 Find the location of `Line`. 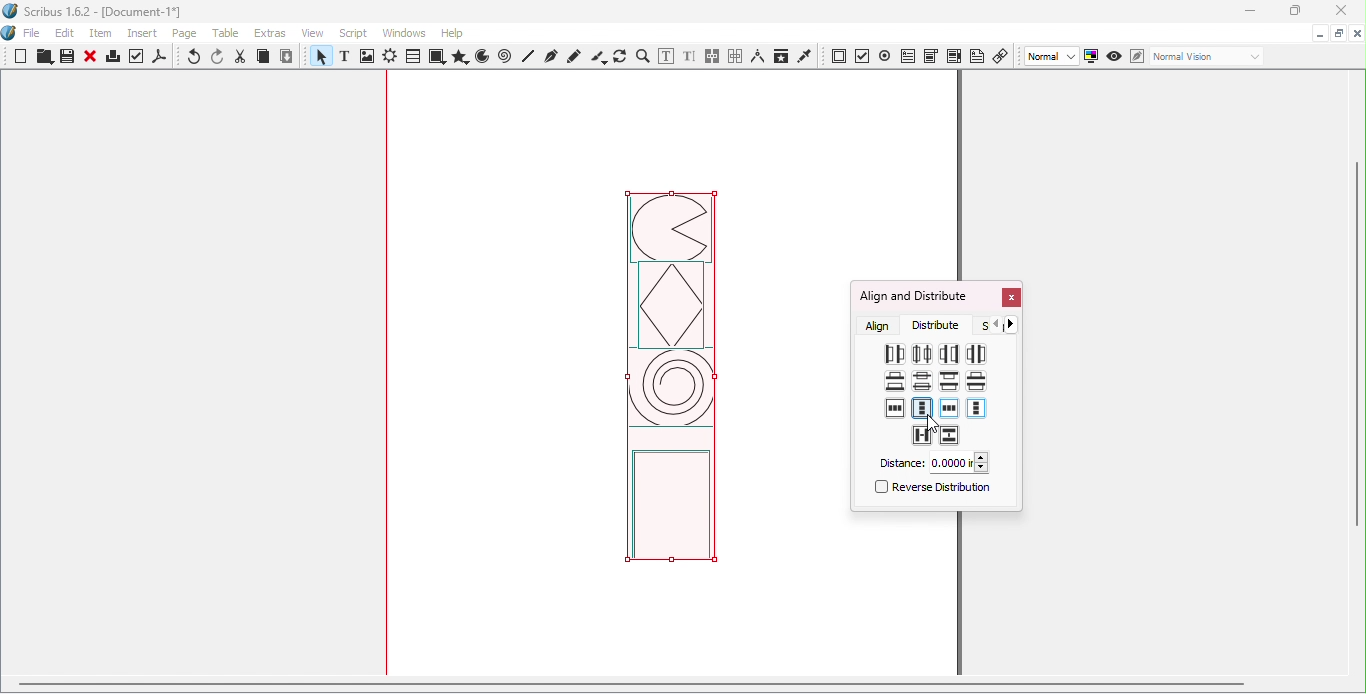

Line is located at coordinates (529, 56).